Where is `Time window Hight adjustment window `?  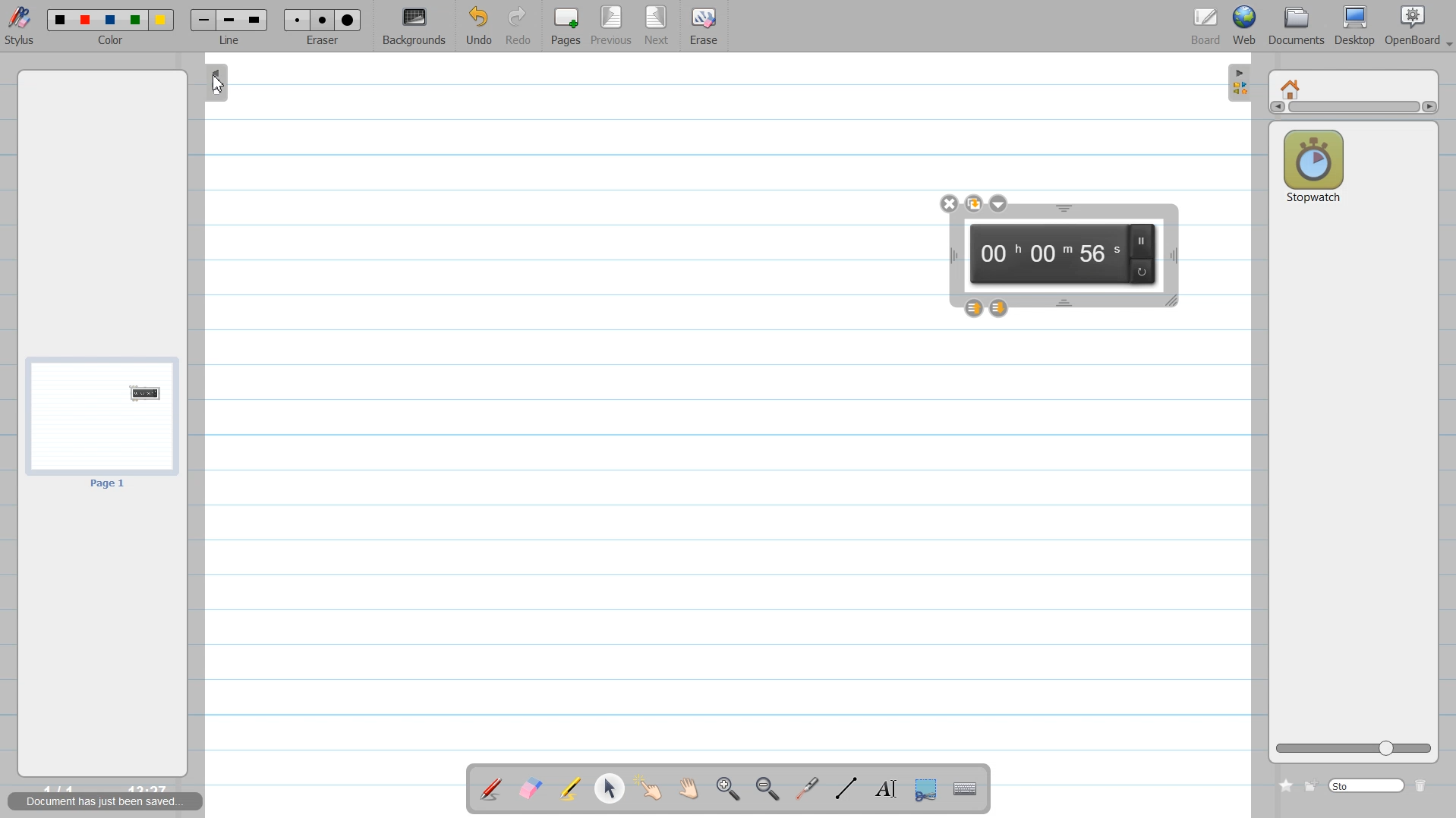
Time window Hight adjustment window  is located at coordinates (1064, 209).